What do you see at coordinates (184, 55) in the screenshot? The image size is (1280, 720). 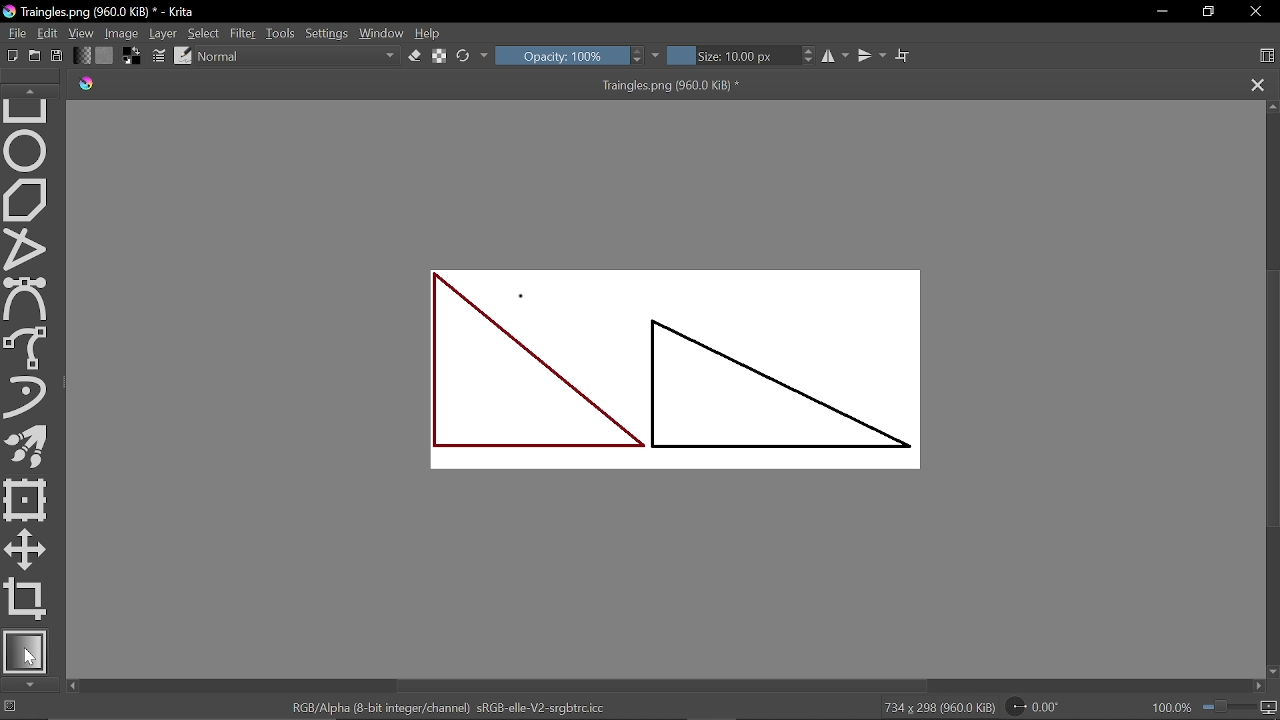 I see `edit brush preset` at bounding box center [184, 55].